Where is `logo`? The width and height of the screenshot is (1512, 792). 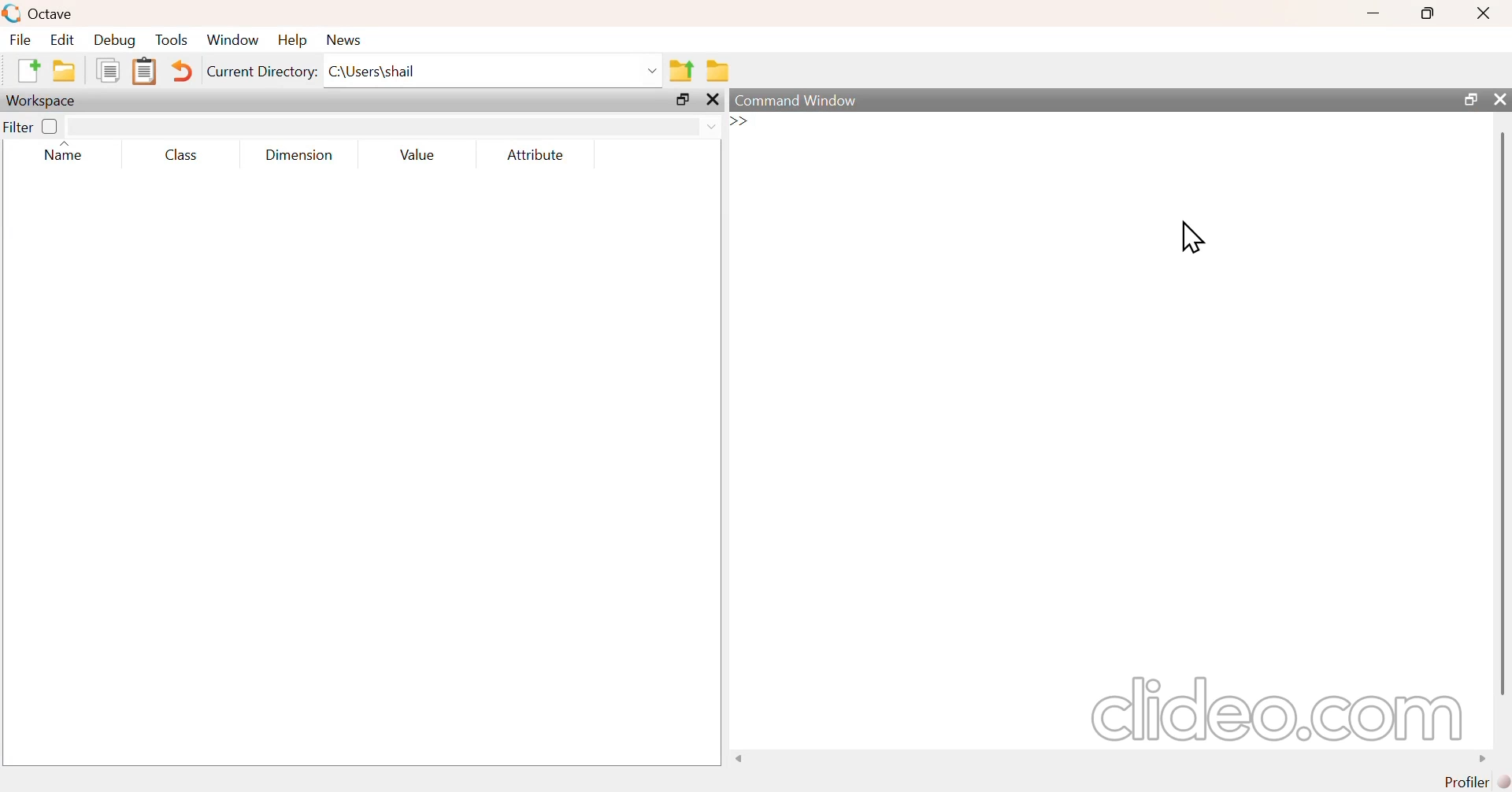 logo is located at coordinates (10, 13).